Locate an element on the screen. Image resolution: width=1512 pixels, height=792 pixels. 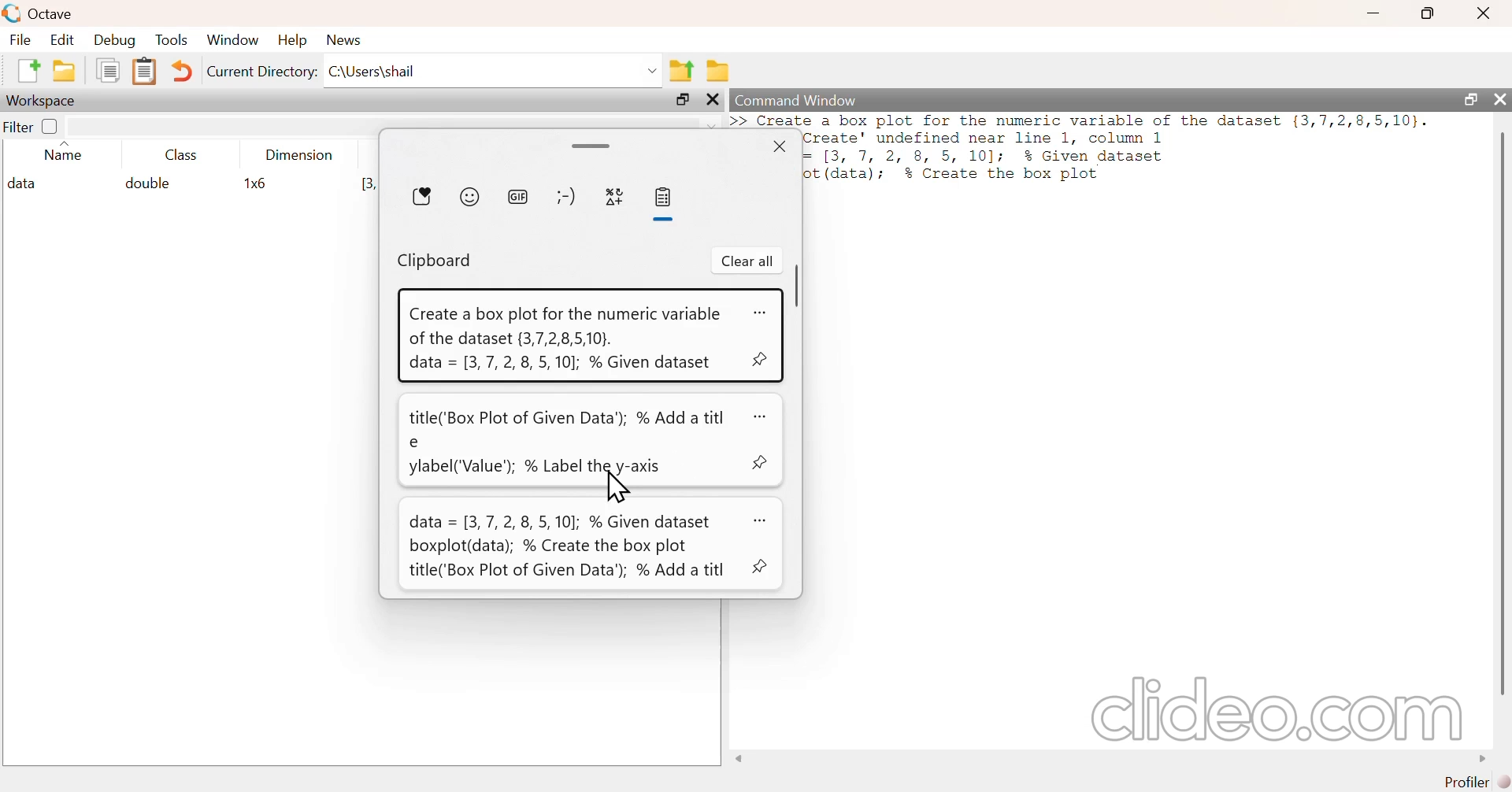
new script is located at coordinates (23, 69).